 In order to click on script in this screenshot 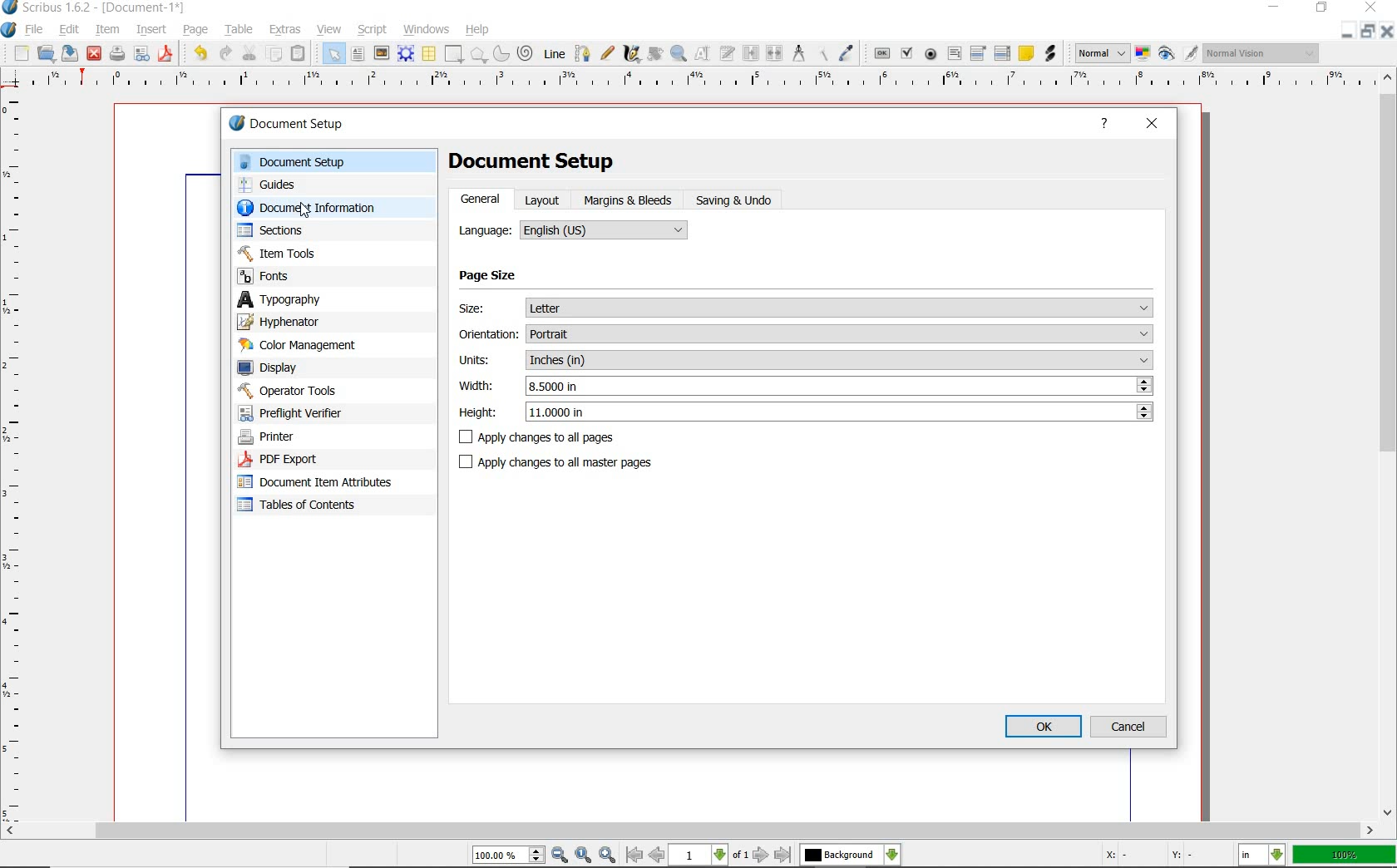, I will do `click(373, 30)`.